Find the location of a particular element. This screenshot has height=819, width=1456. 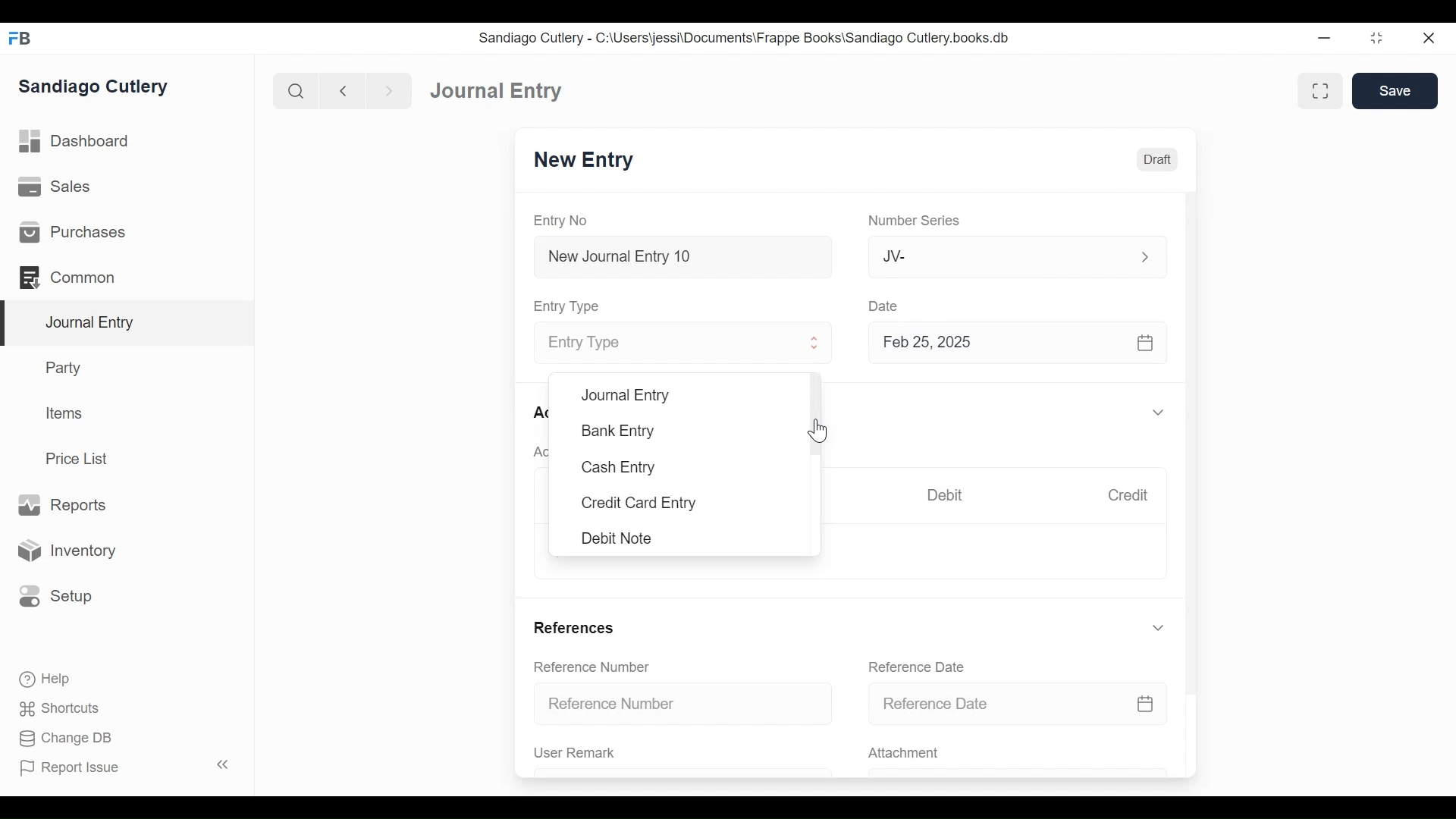

Save is located at coordinates (1395, 91).